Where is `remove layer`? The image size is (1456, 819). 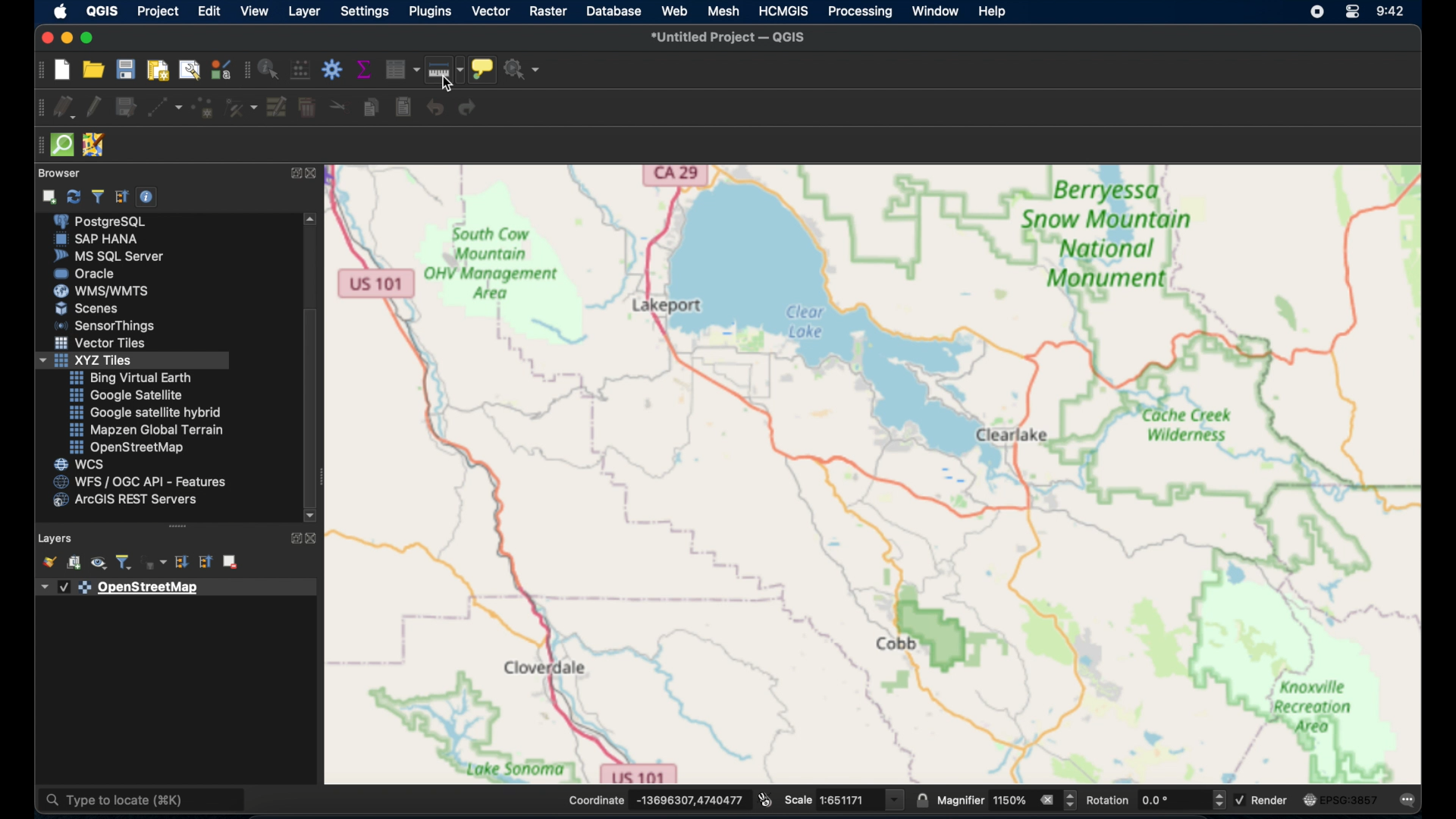 remove layer is located at coordinates (230, 560).